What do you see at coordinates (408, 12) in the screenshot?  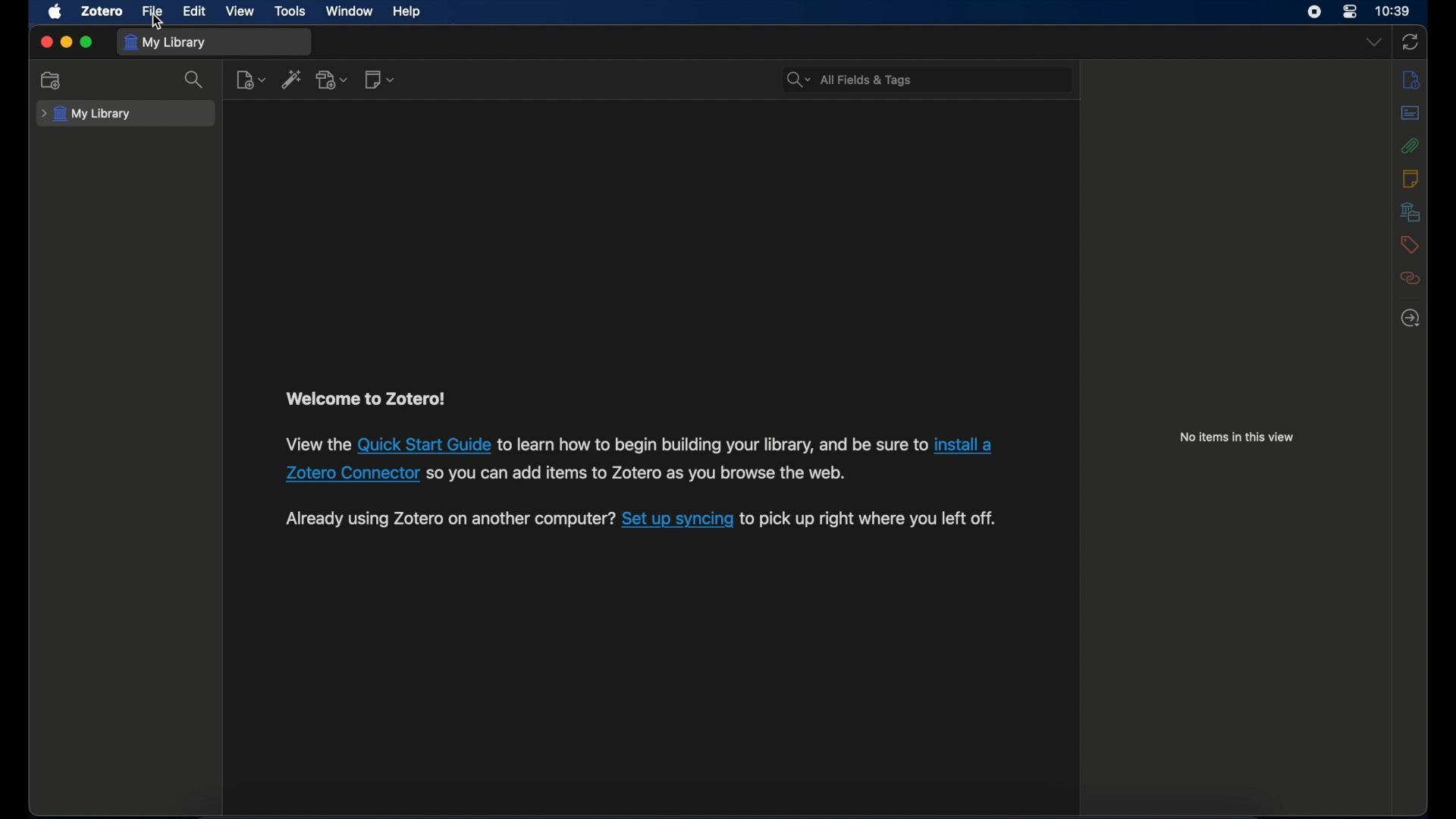 I see `help` at bounding box center [408, 12].